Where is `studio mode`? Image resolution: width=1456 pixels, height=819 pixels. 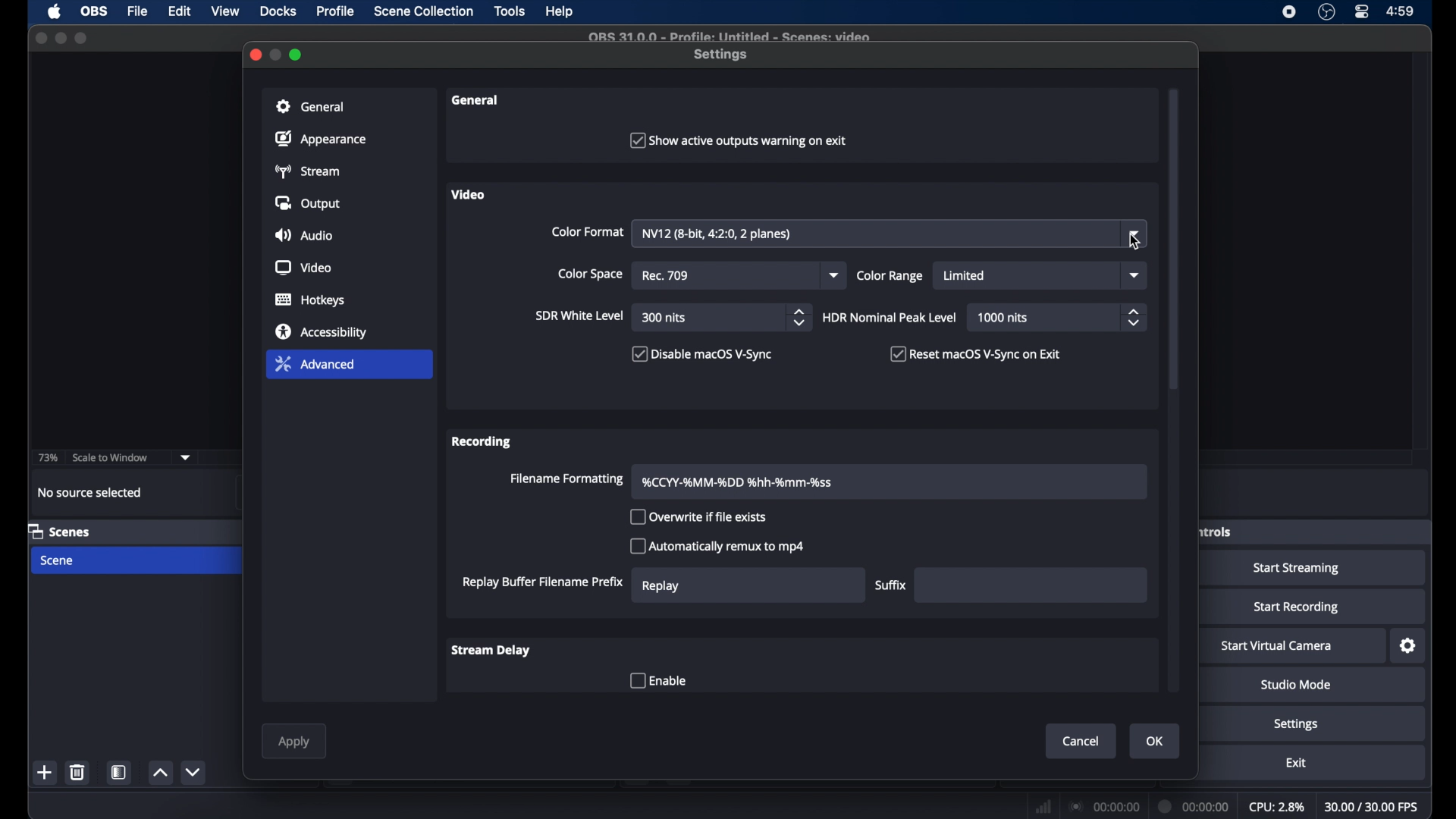 studio mode is located at coordinates (1296, 685).